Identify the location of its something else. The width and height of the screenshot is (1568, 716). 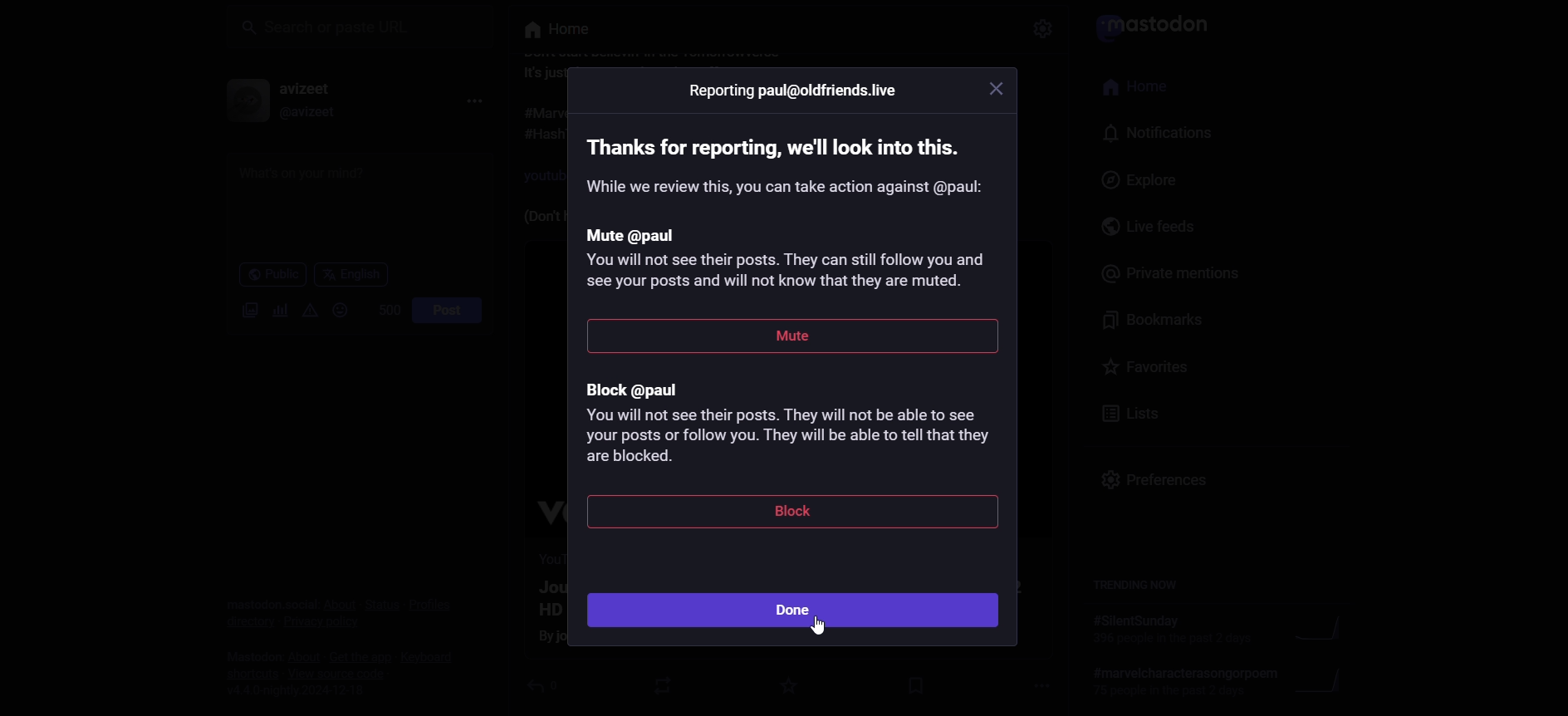
(555, 30).